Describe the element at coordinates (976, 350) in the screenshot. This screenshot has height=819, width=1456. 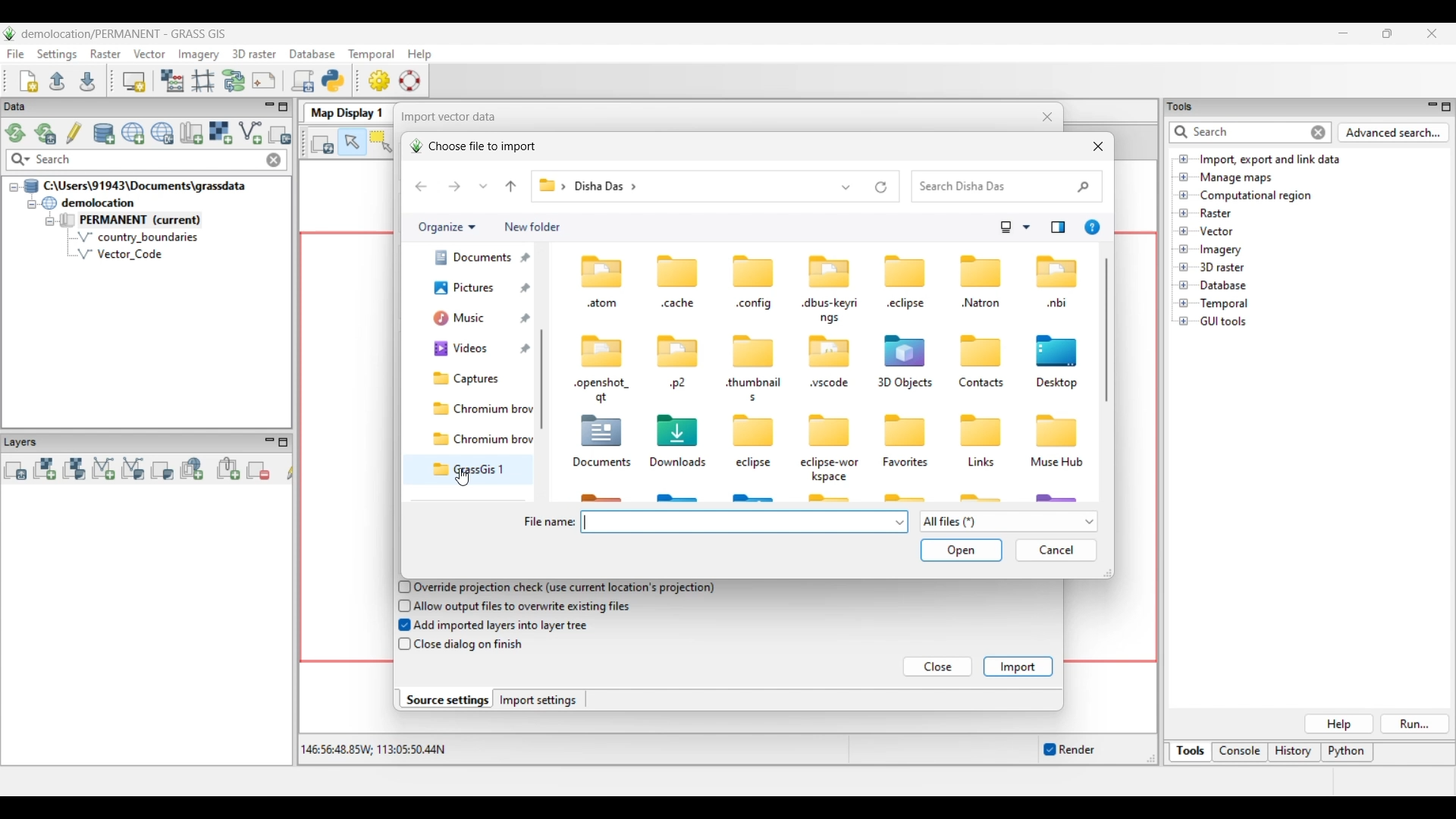
I see `icon` at that location.